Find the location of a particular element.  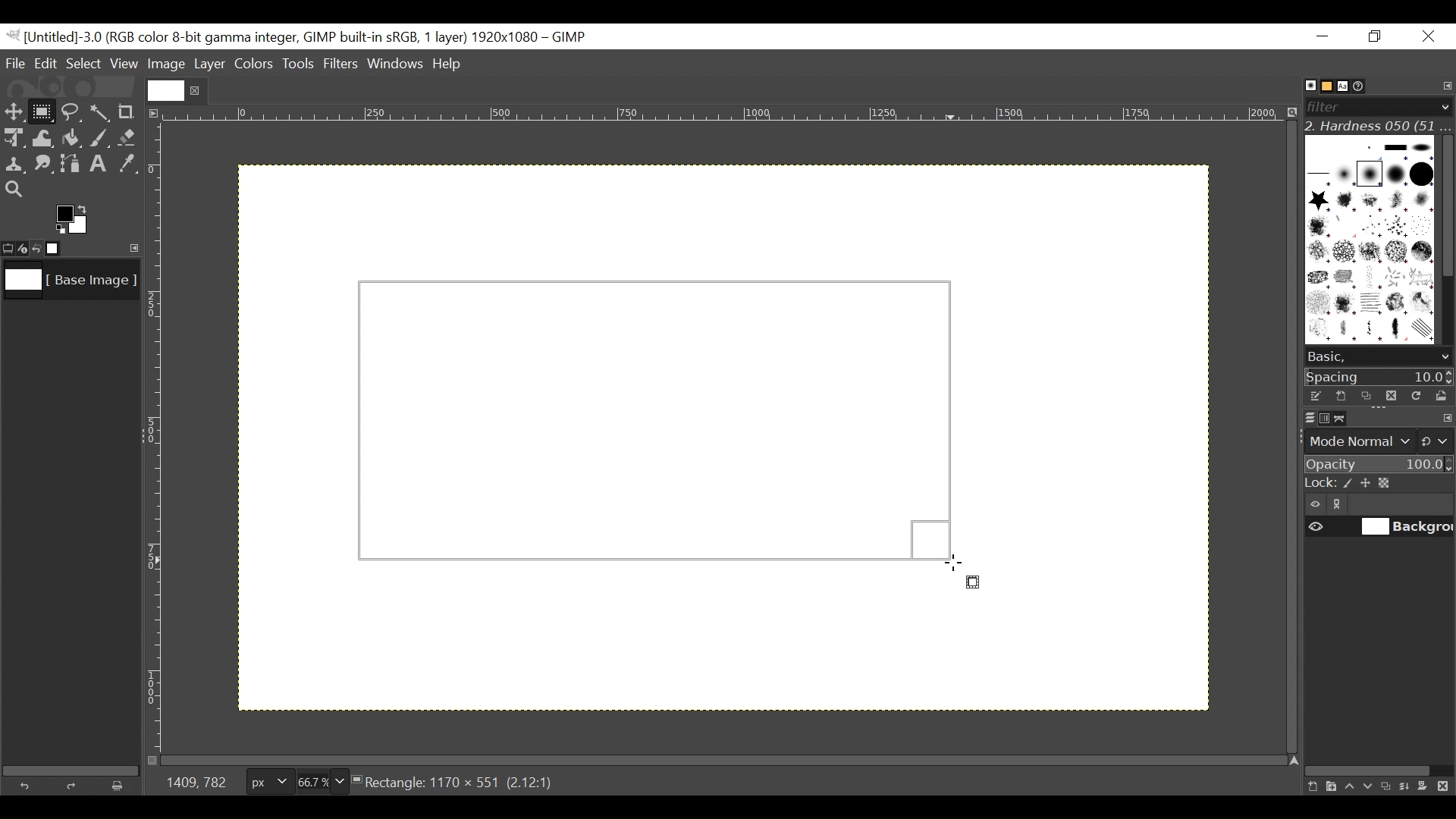

link/unlink item is located at coordinates (1341, 507).